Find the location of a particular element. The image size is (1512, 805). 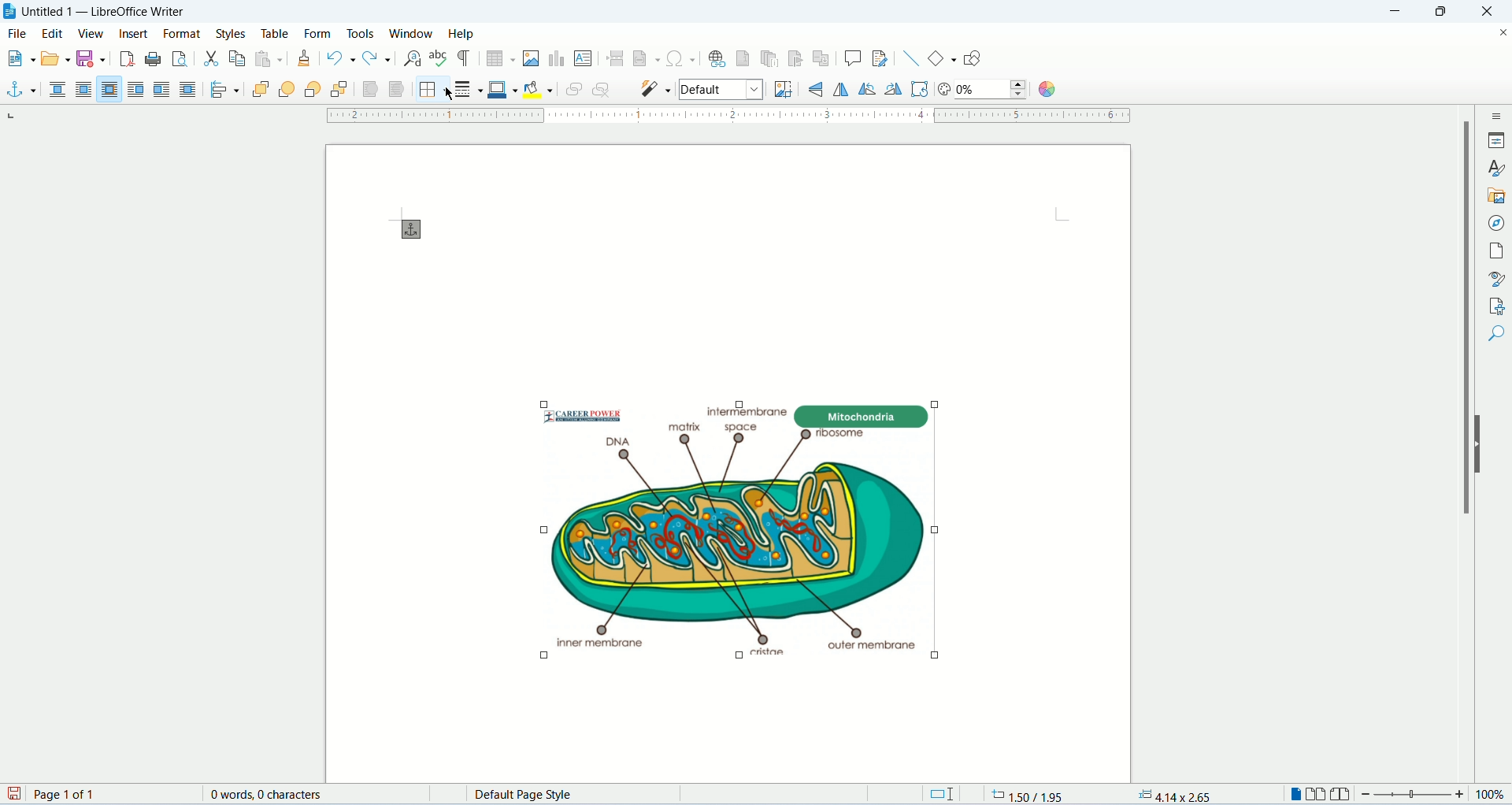

zoom percent is located at coordinates (1490, 796).